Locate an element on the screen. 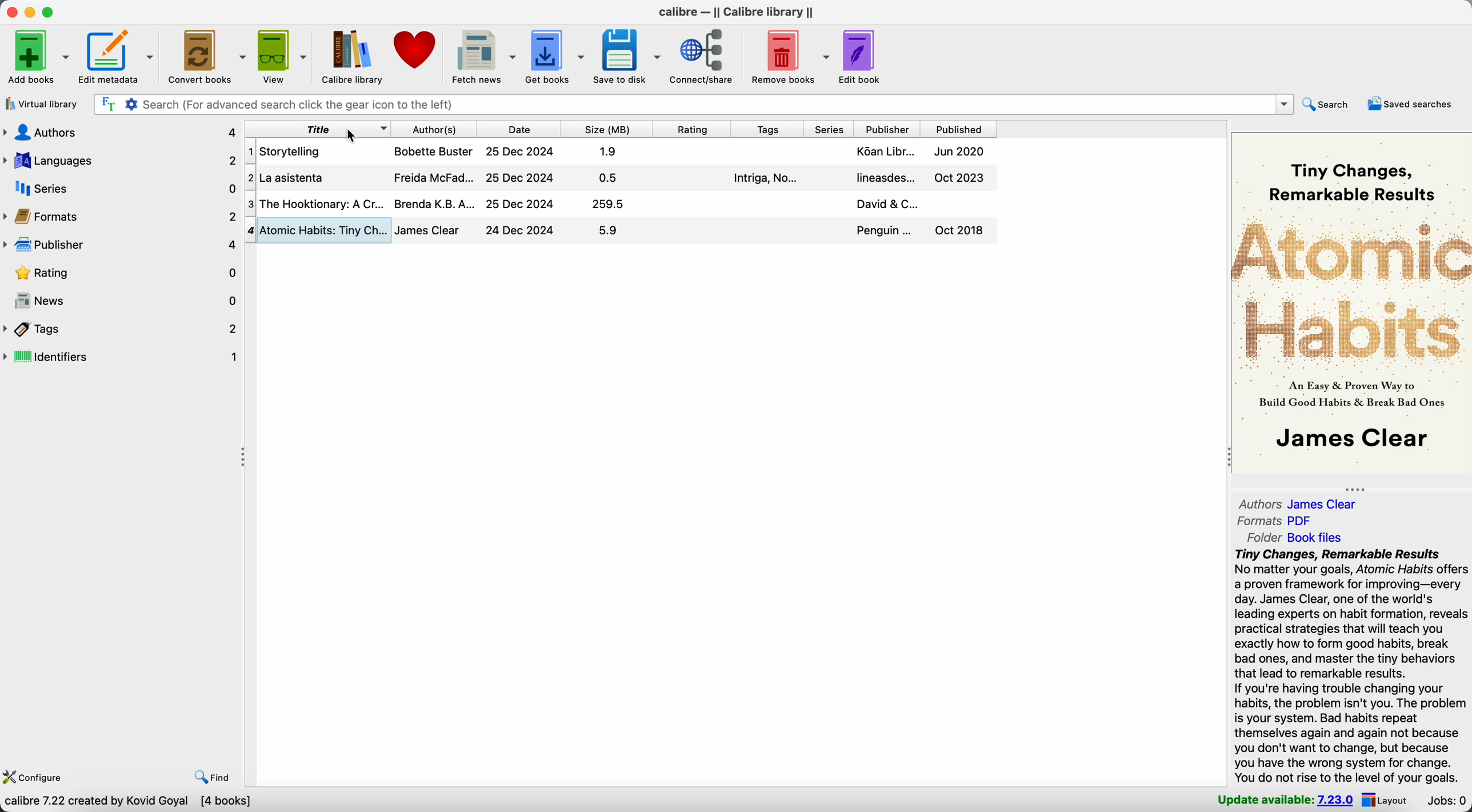  folder book files is located at coordinates (1293, 537).